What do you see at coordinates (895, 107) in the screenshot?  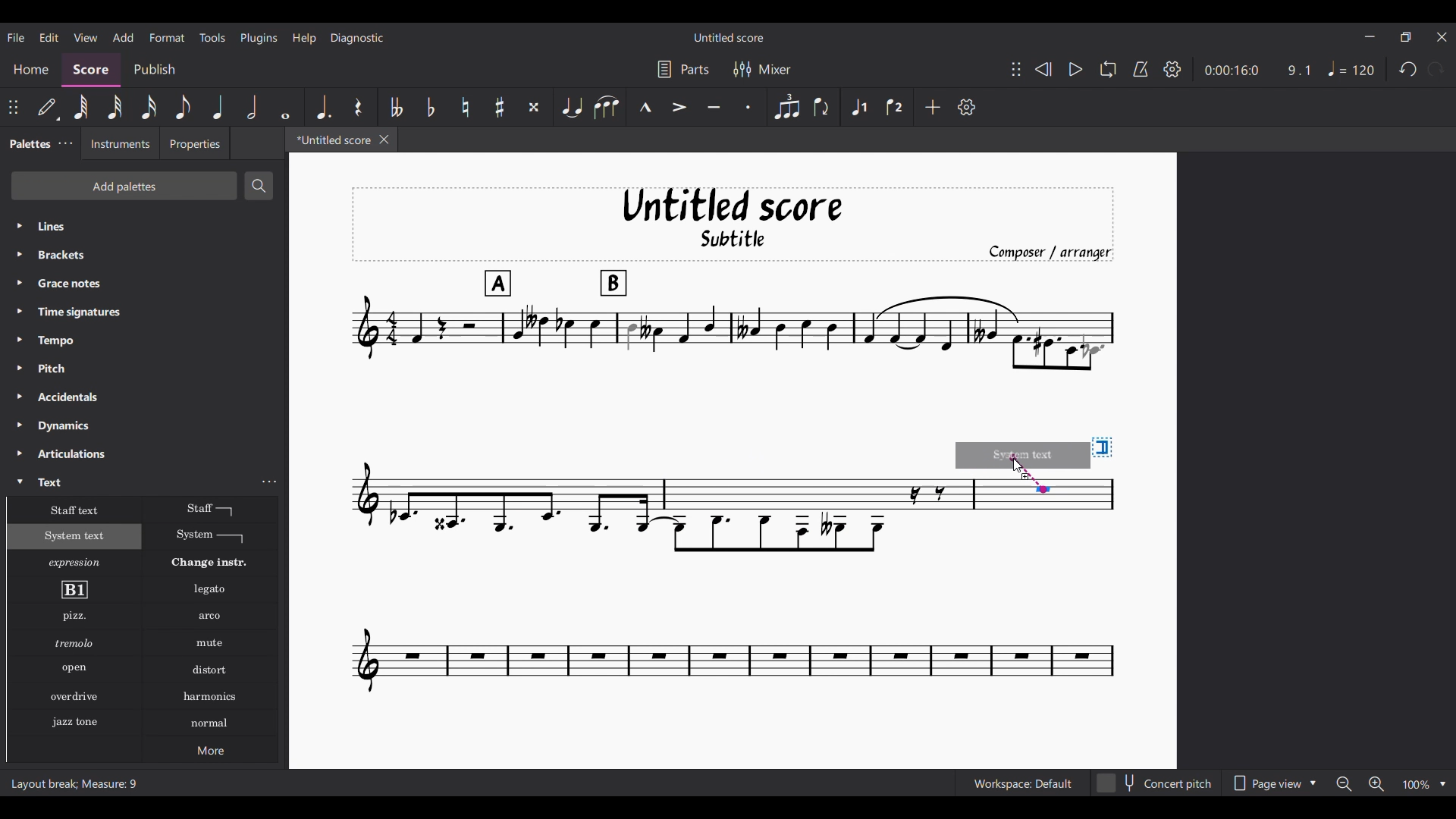 I see `Voice 2` at bounding box center [895, 107].